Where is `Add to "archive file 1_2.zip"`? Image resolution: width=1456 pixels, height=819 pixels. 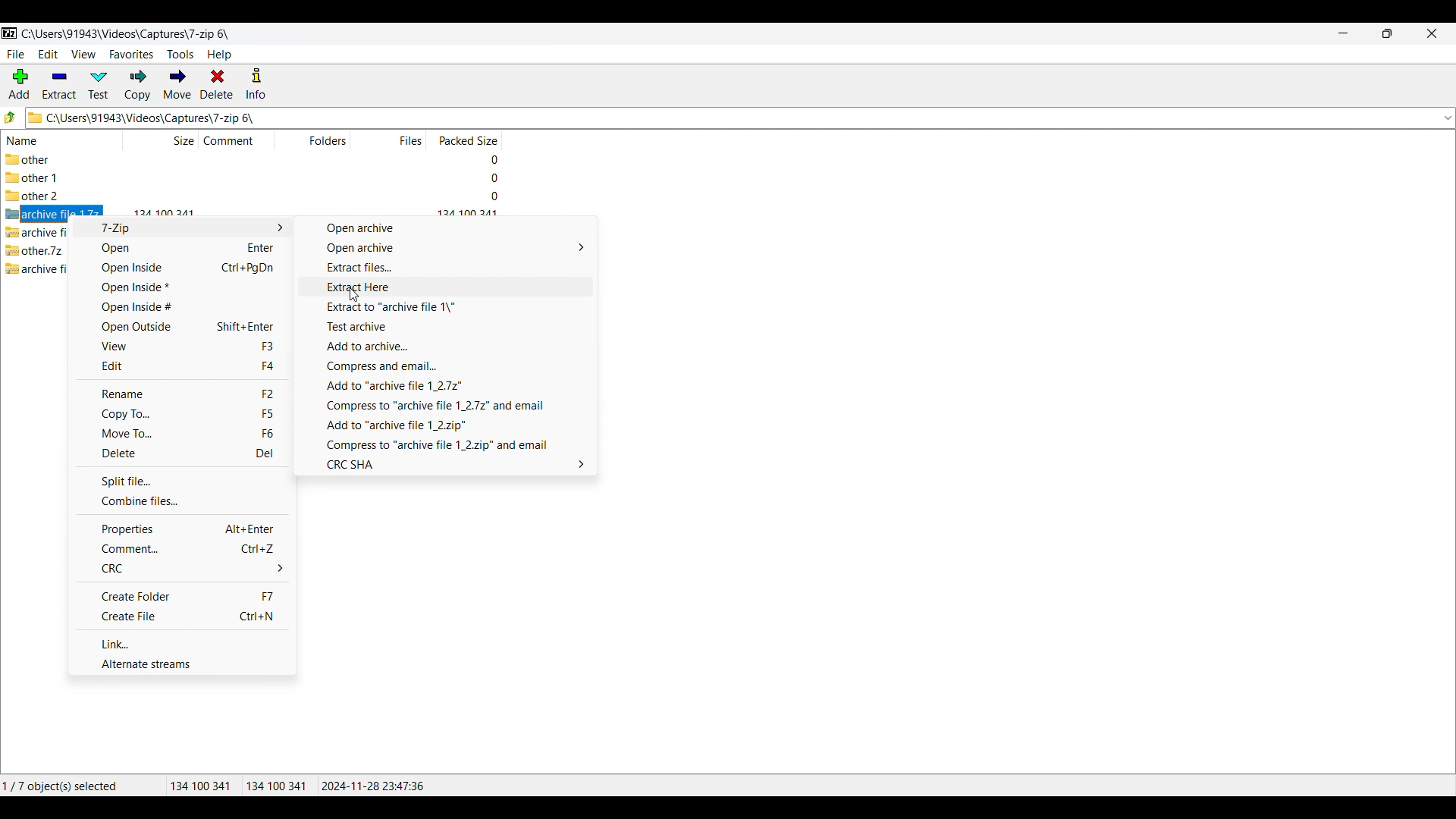 Add to "archive file 1_2.zip" is located at coordinates (451, 425).